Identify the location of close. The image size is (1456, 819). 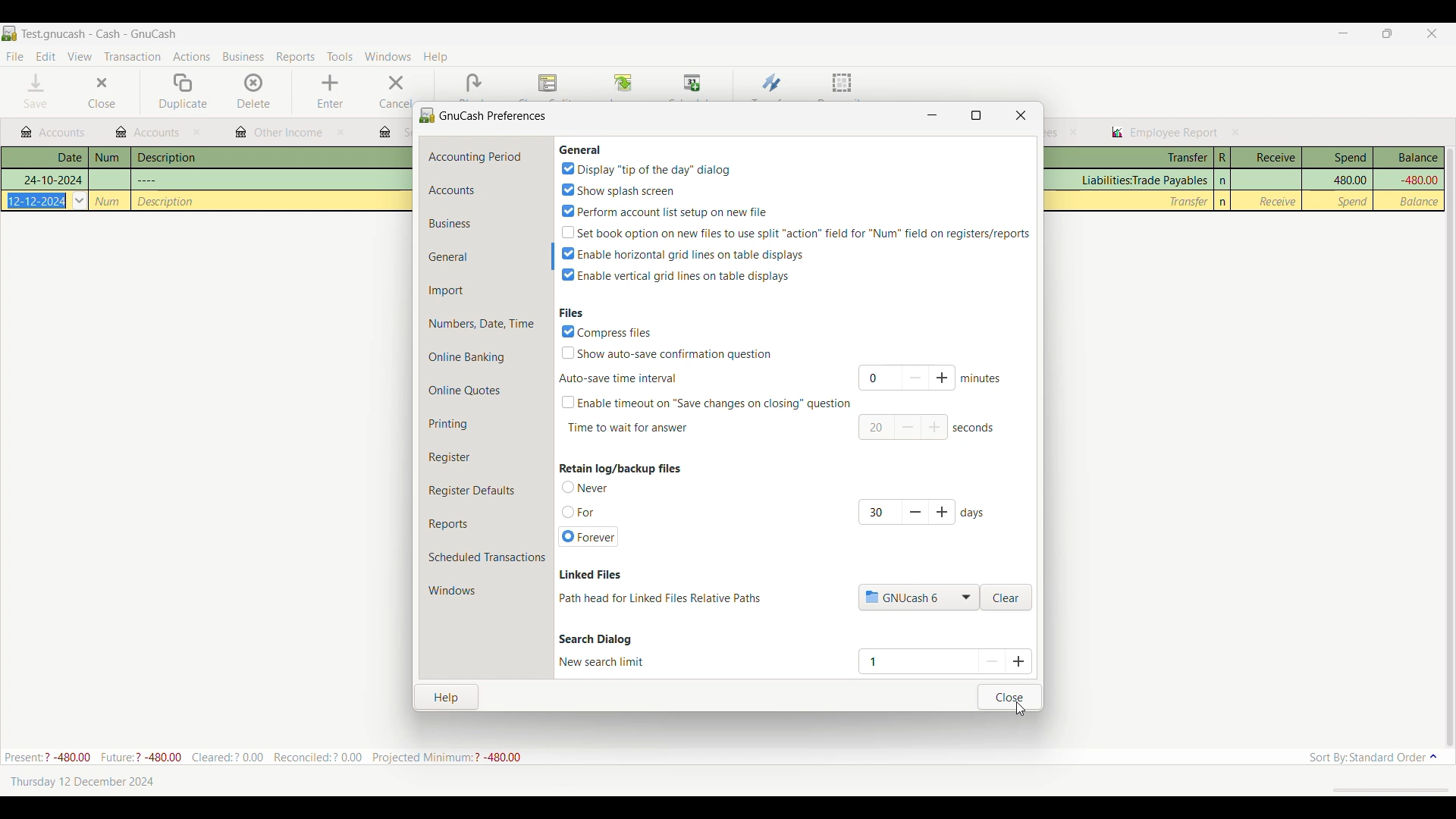
(1074, 132).